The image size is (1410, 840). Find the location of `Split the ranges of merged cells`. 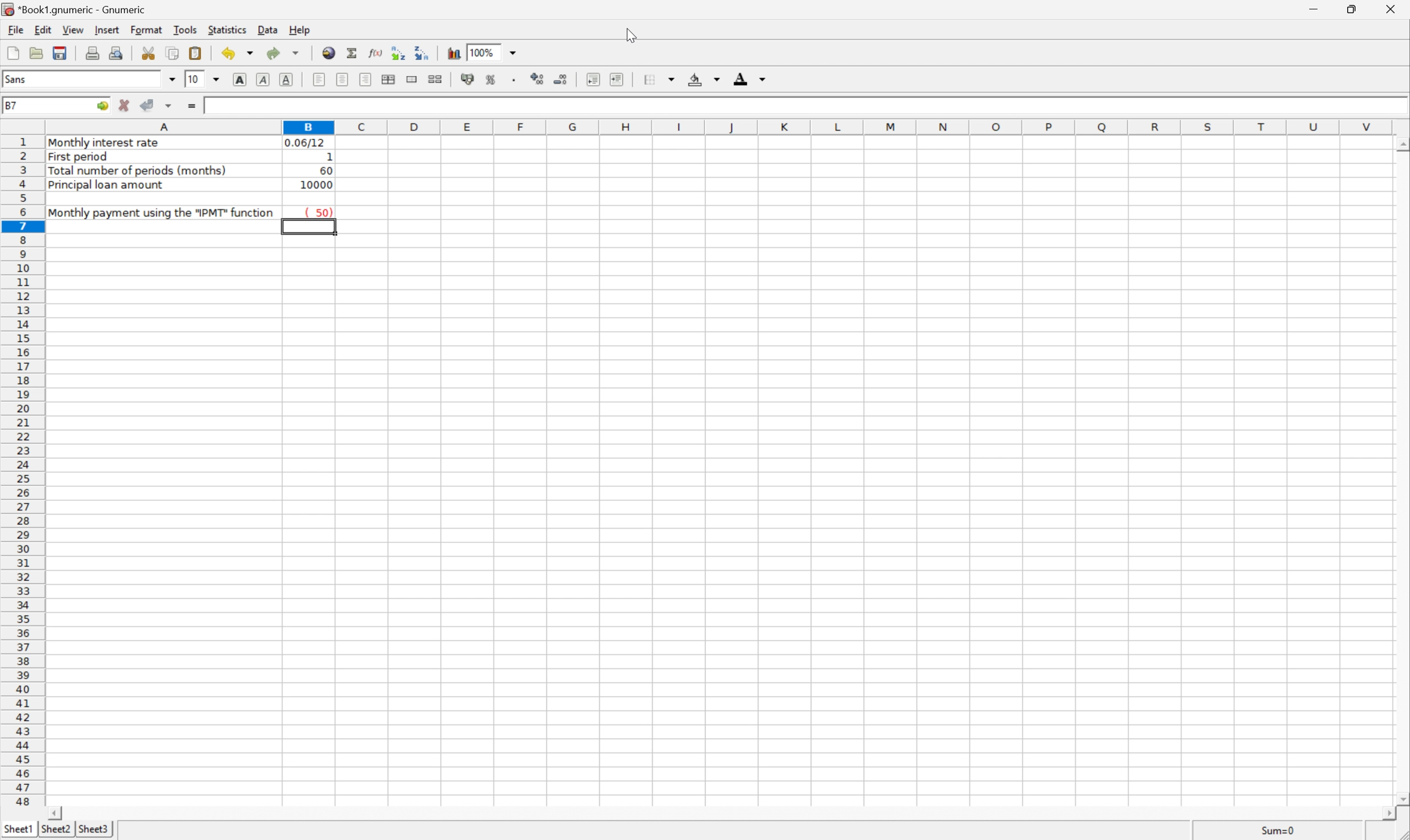

Split the ranges of merged cells is located at coordinates (437, 80).